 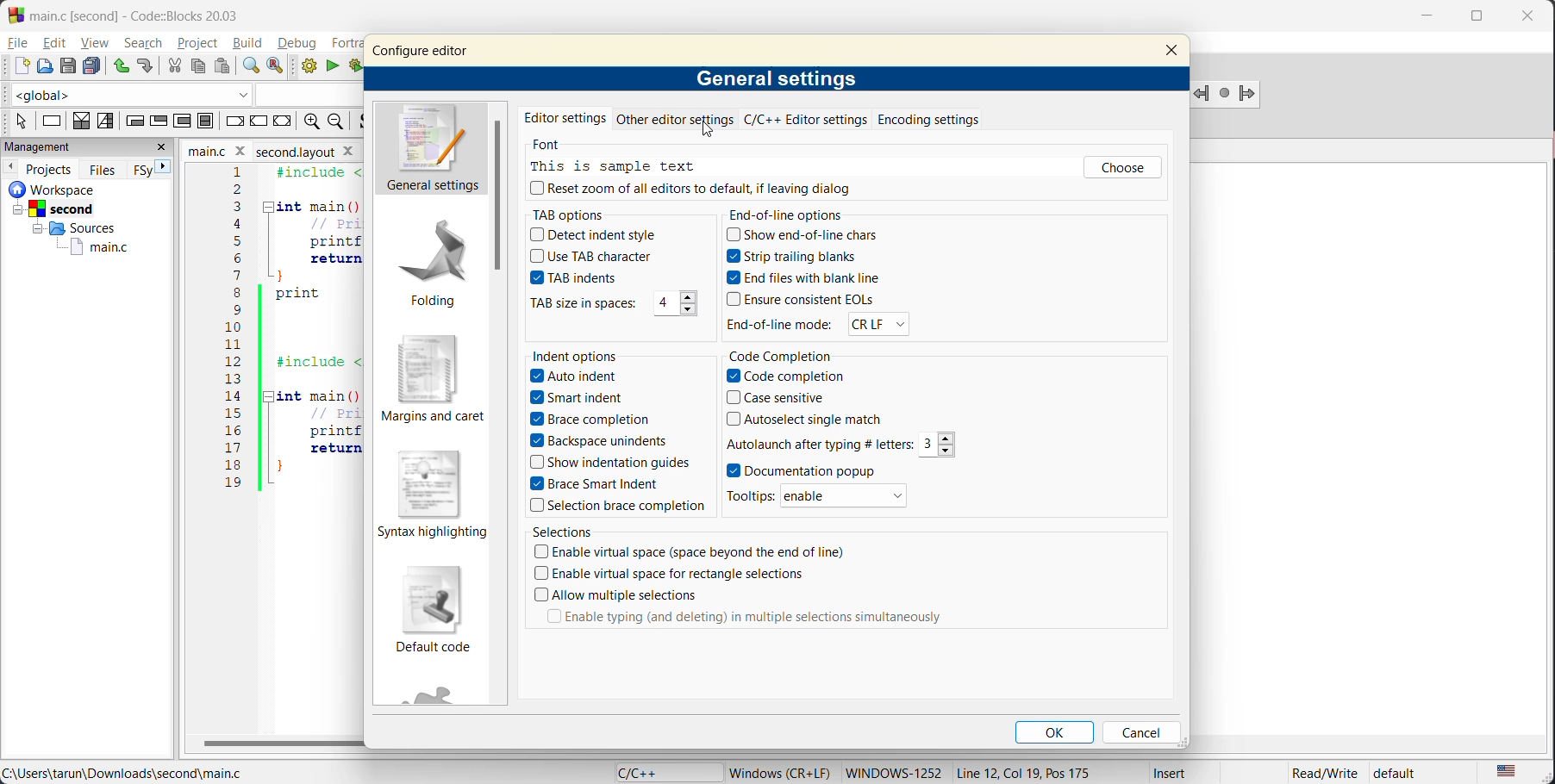 I want to click on block instruction, so click(x=208, y=121).